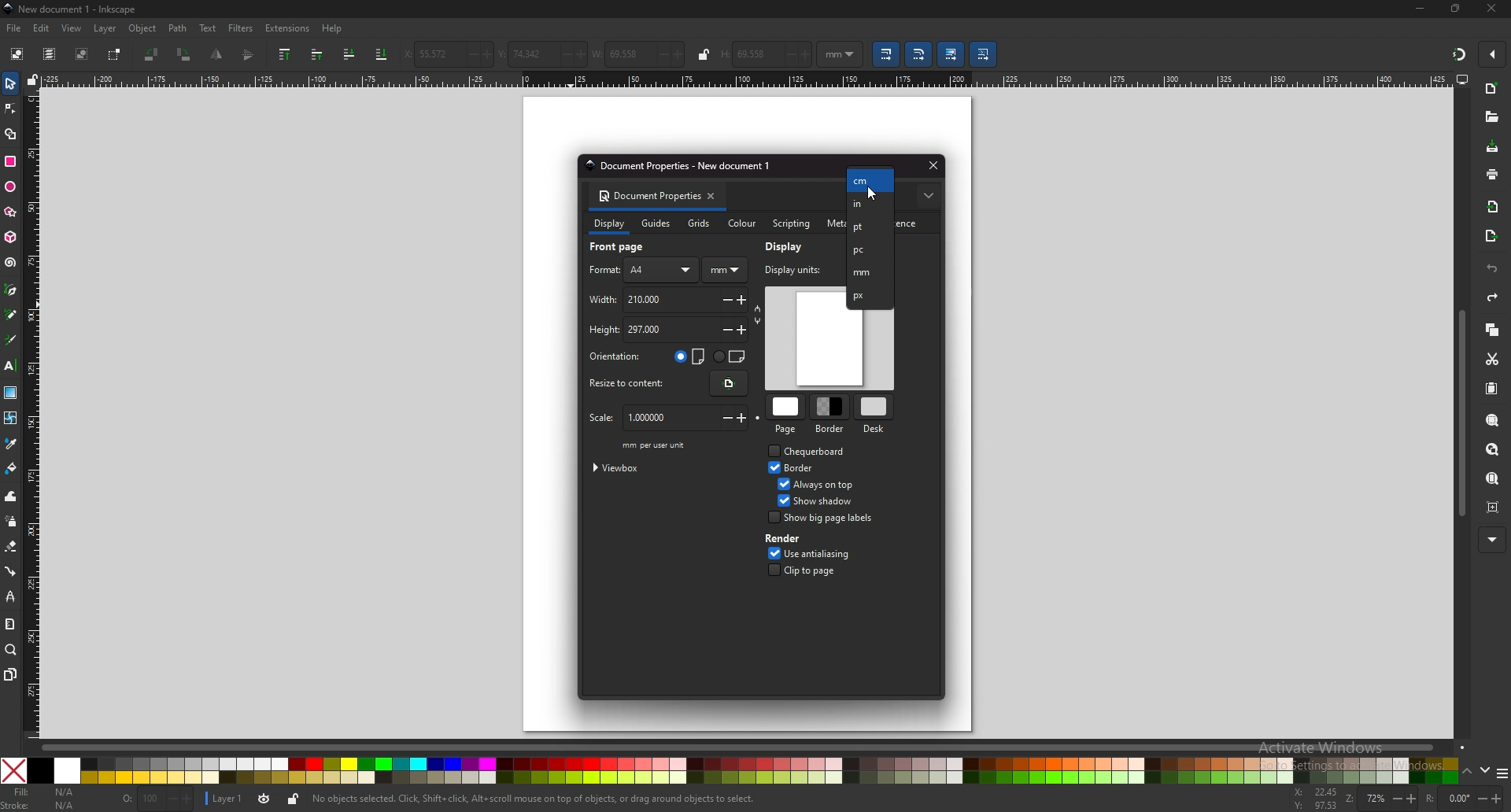 This screenshot has height=812, width=1511. Describe the element at coordinates (770, 570) in the screenshot. I see `Checkbox` at that location.